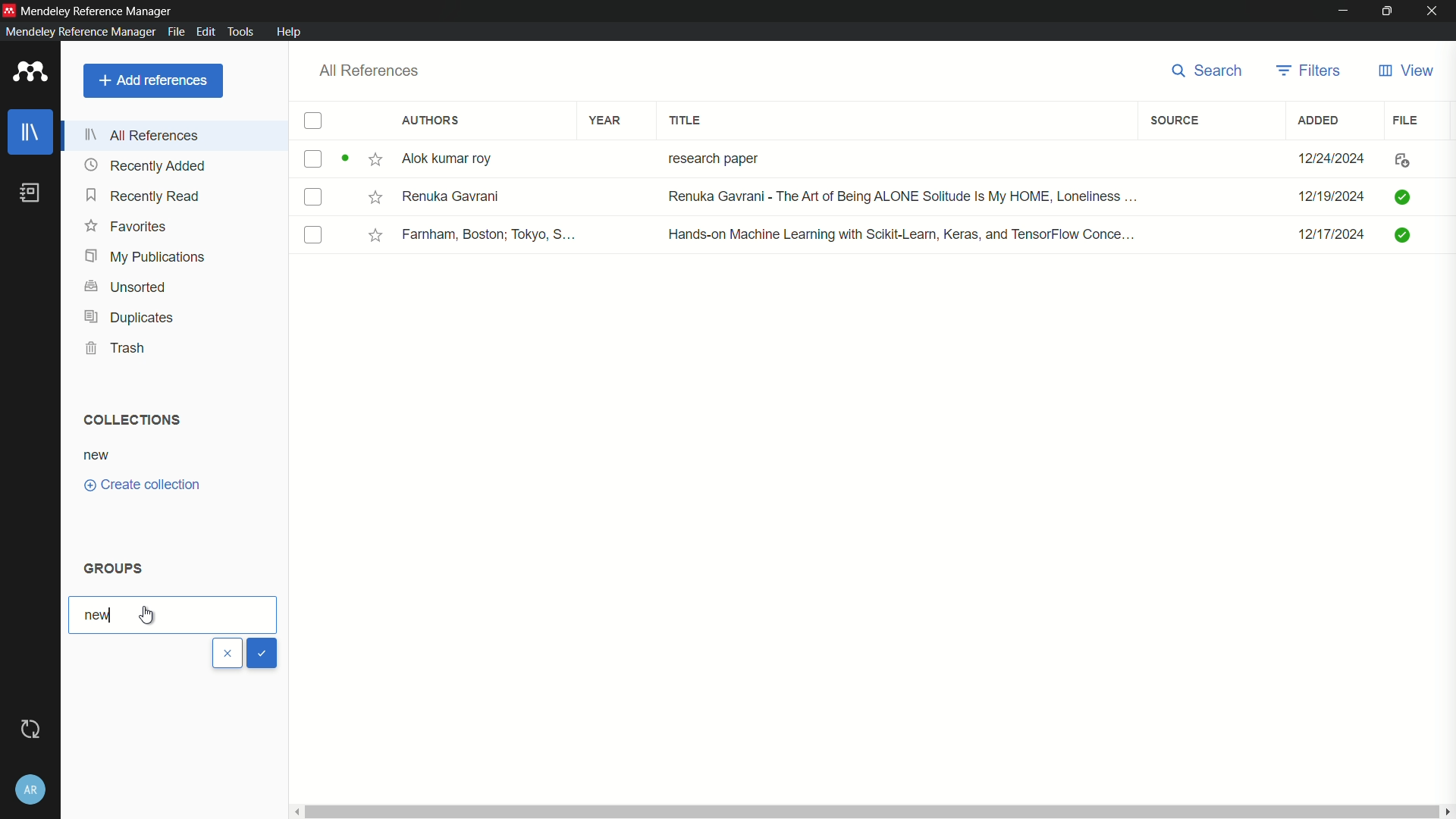 This screenshot has height=819, width=1456. I want to click on new, so click(97, 616).